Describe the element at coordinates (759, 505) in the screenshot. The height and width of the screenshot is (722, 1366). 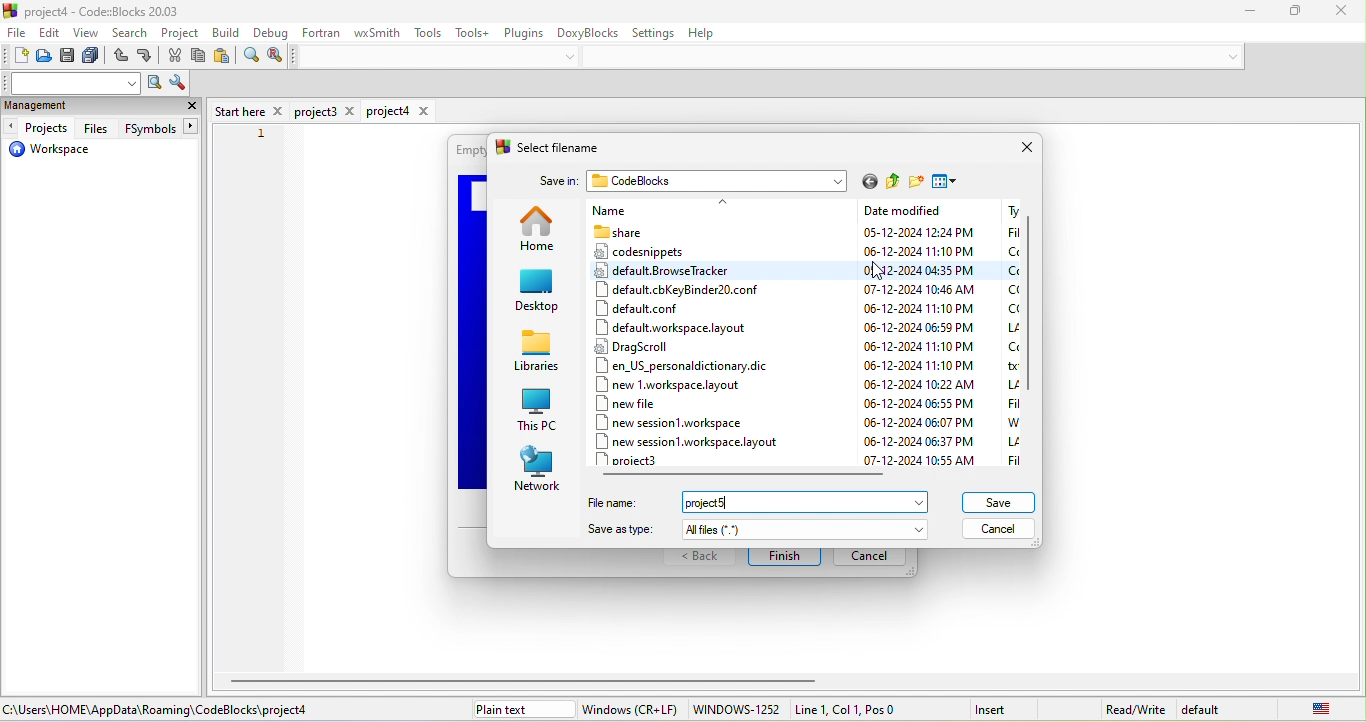
I see `file name` at that location.